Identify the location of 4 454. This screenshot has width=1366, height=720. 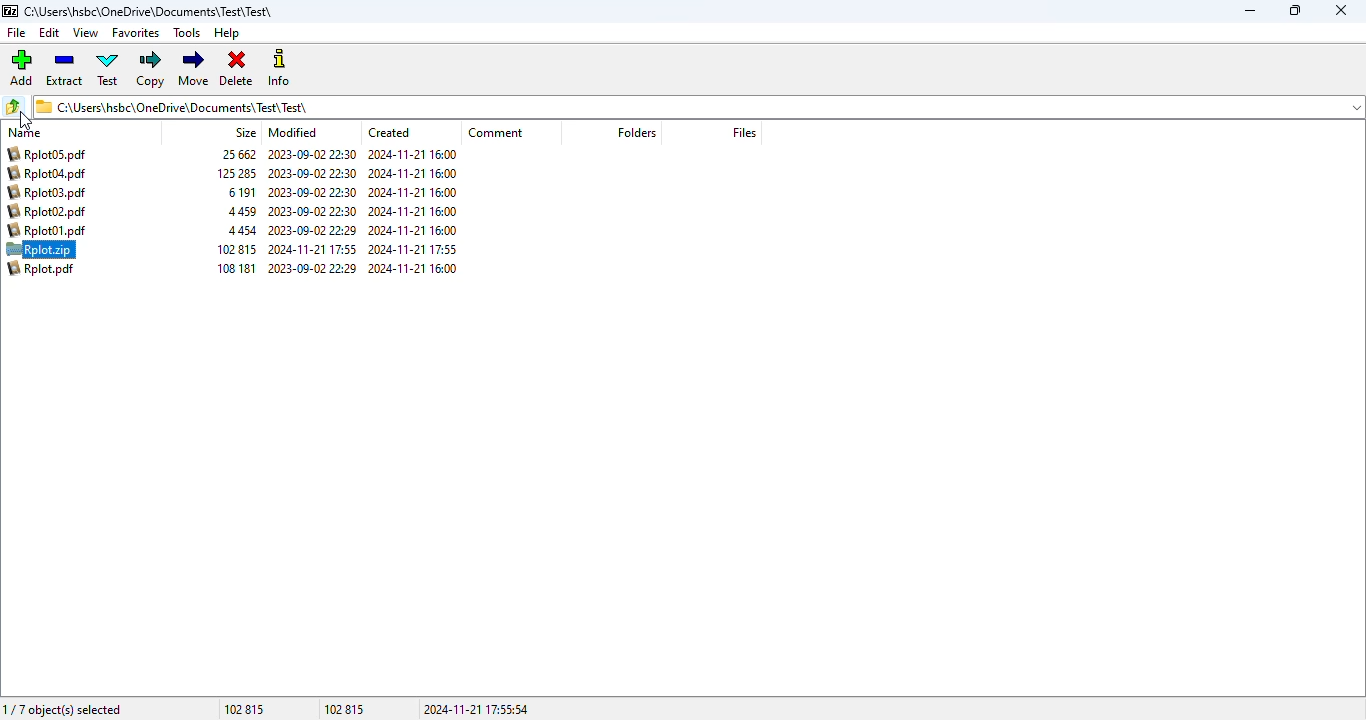
(244, 230).